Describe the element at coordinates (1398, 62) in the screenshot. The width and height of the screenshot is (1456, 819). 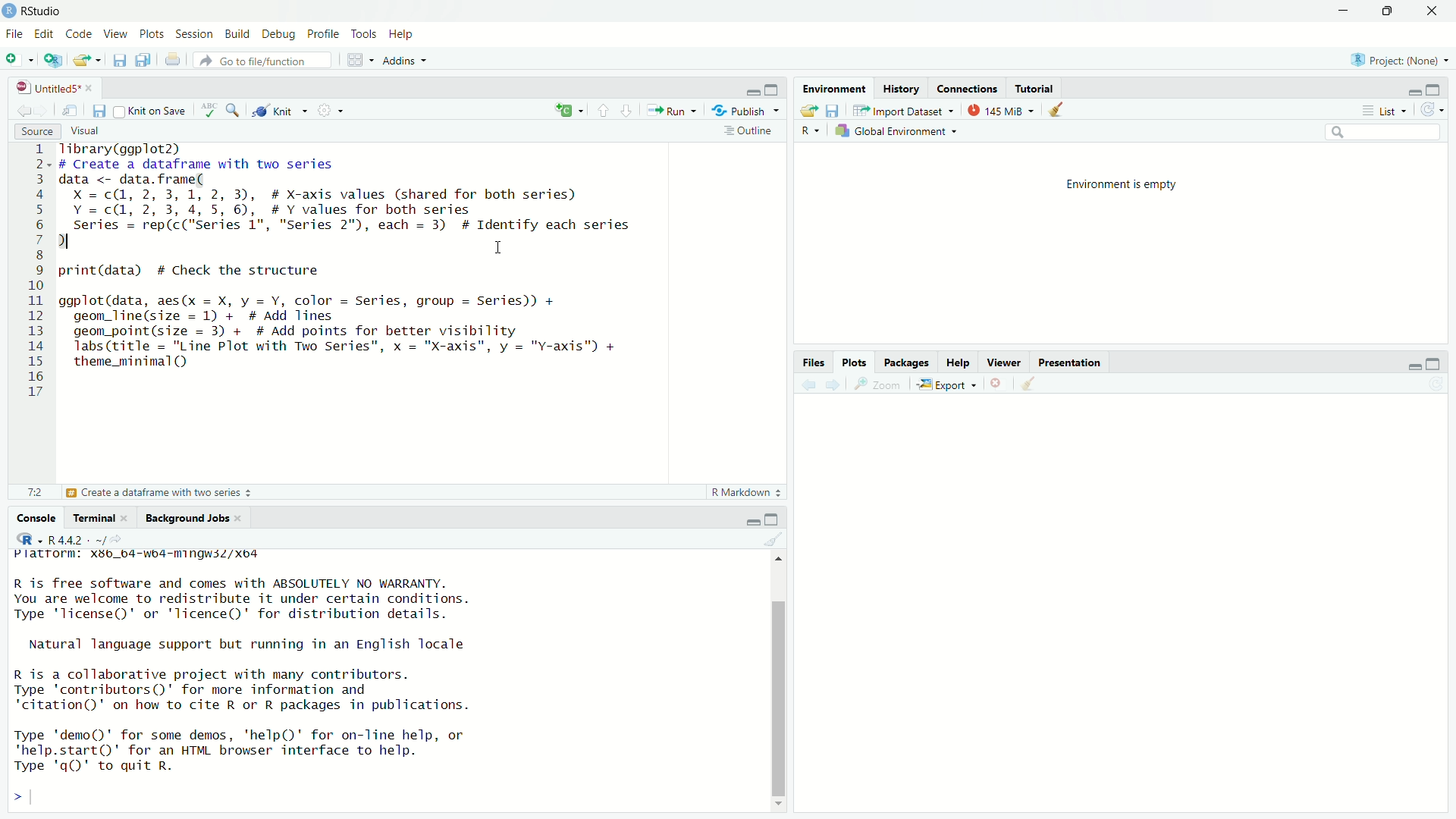
I see `Project Name` at that location.